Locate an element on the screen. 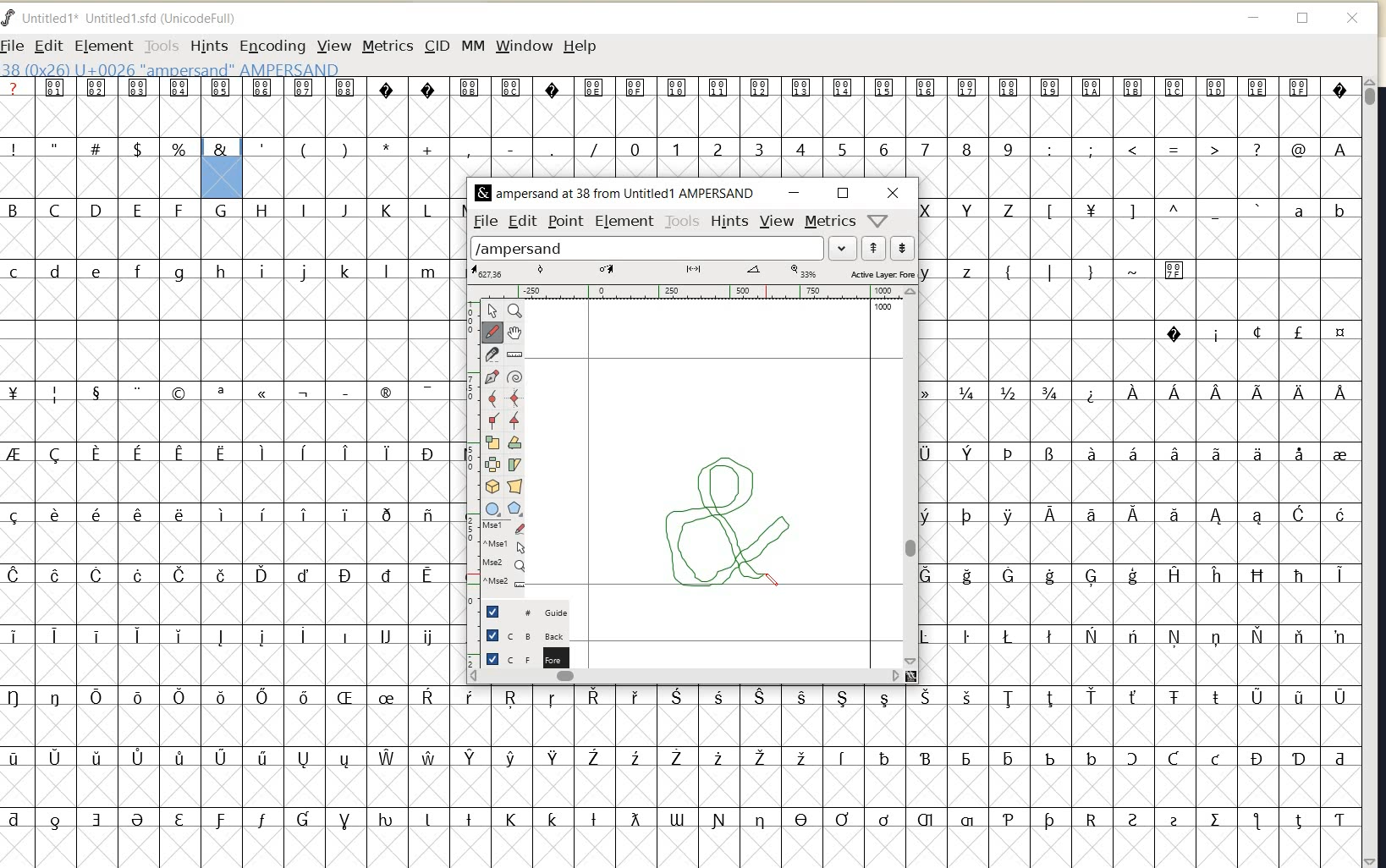  SCROLLBAR is located at coordinates (911, 477).